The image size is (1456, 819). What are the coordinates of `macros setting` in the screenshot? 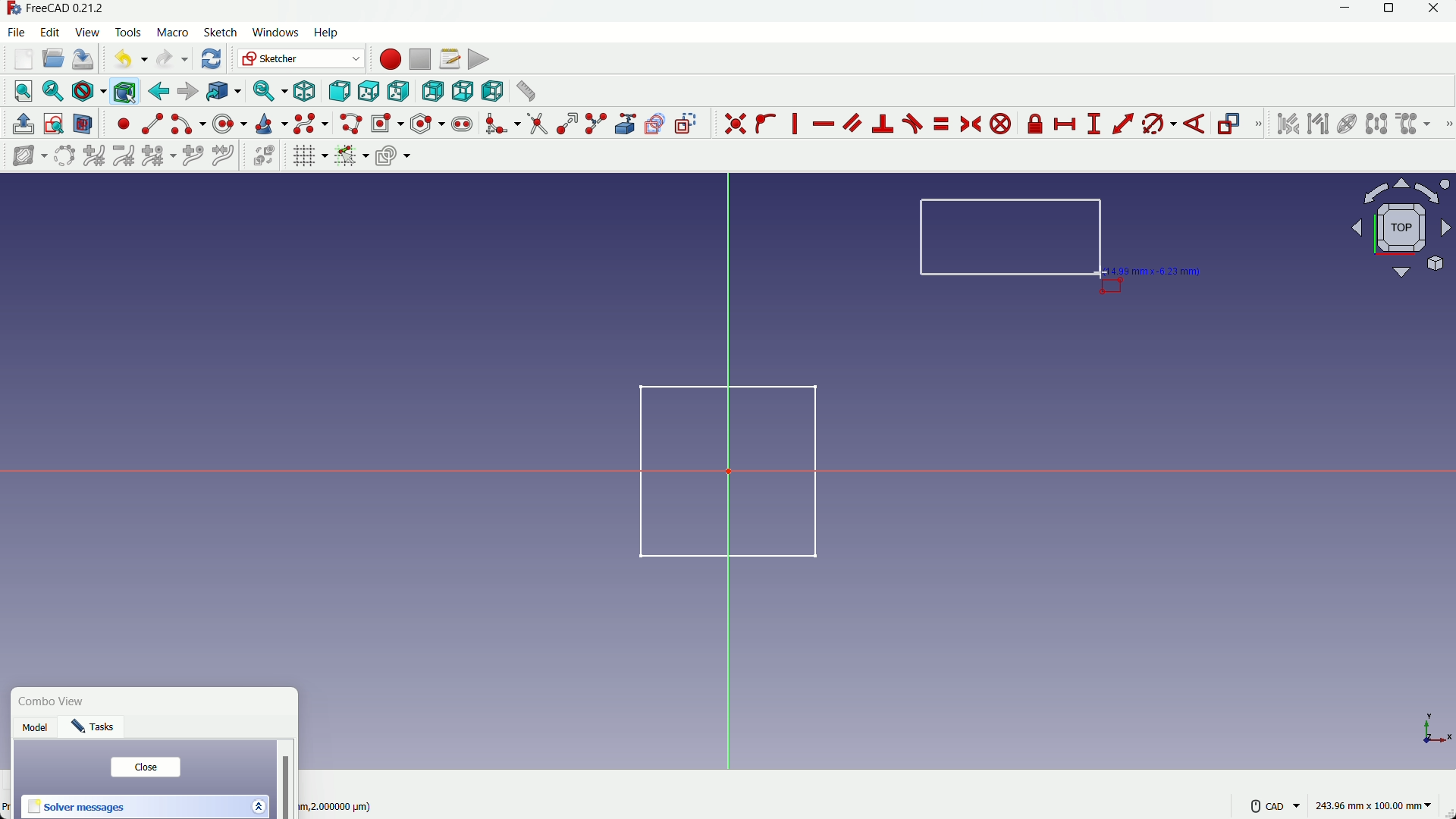 It's located at (449, 59).